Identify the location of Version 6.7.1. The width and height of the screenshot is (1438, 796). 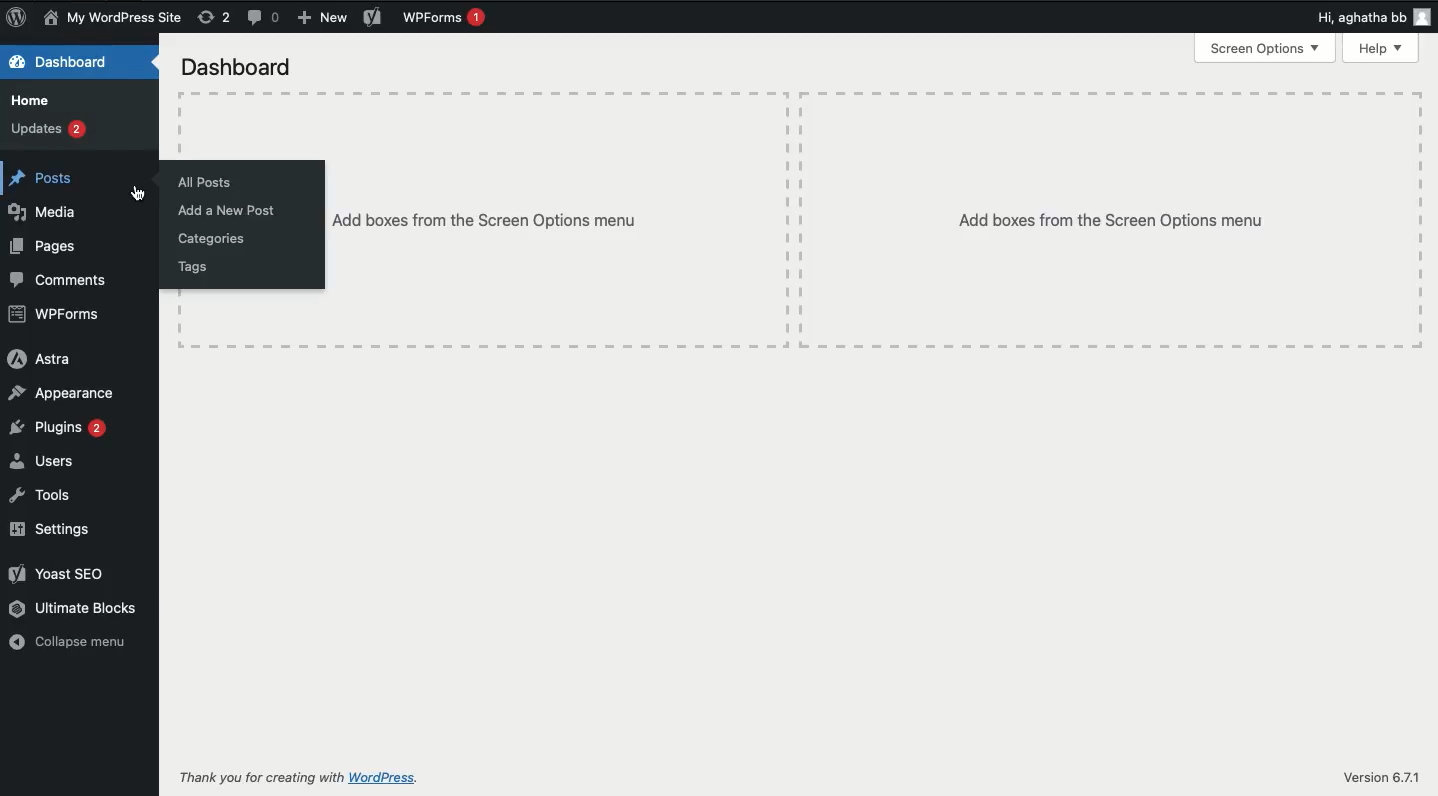
(1380, 778).